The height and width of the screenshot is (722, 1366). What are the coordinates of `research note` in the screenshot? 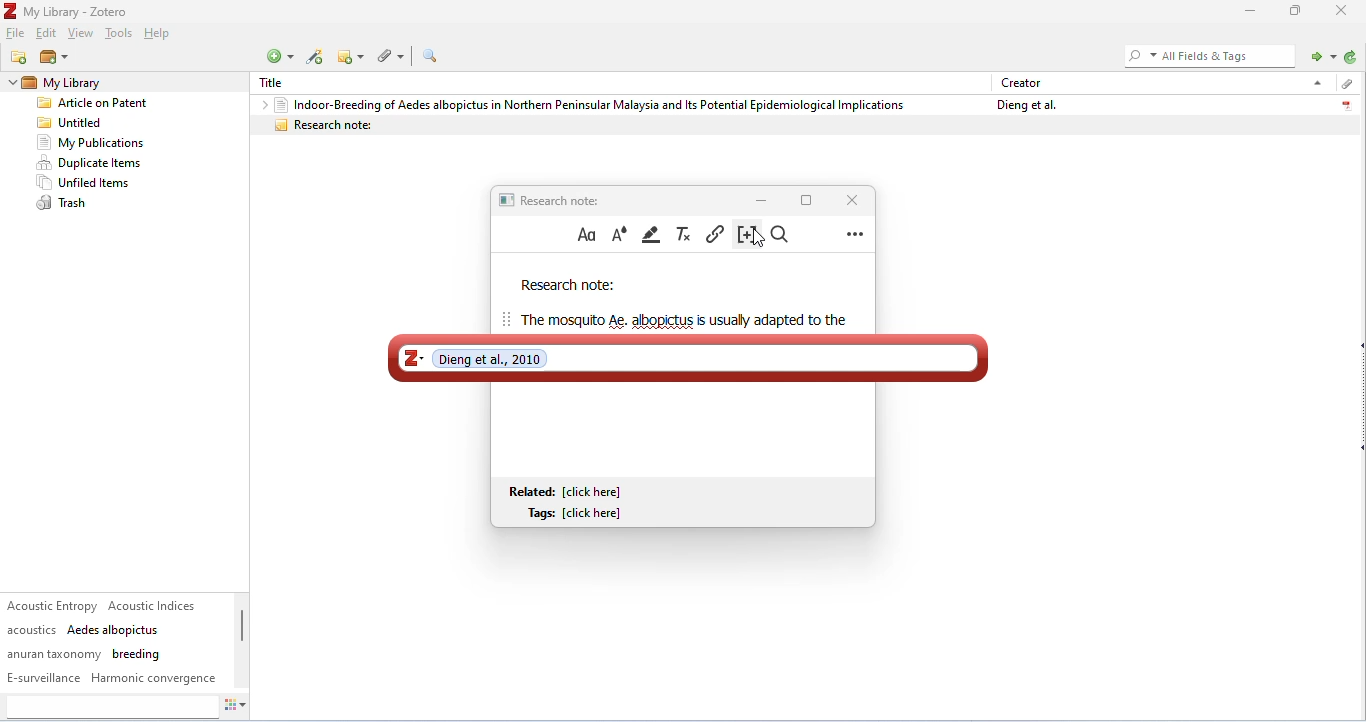 It's located at (553, 199).